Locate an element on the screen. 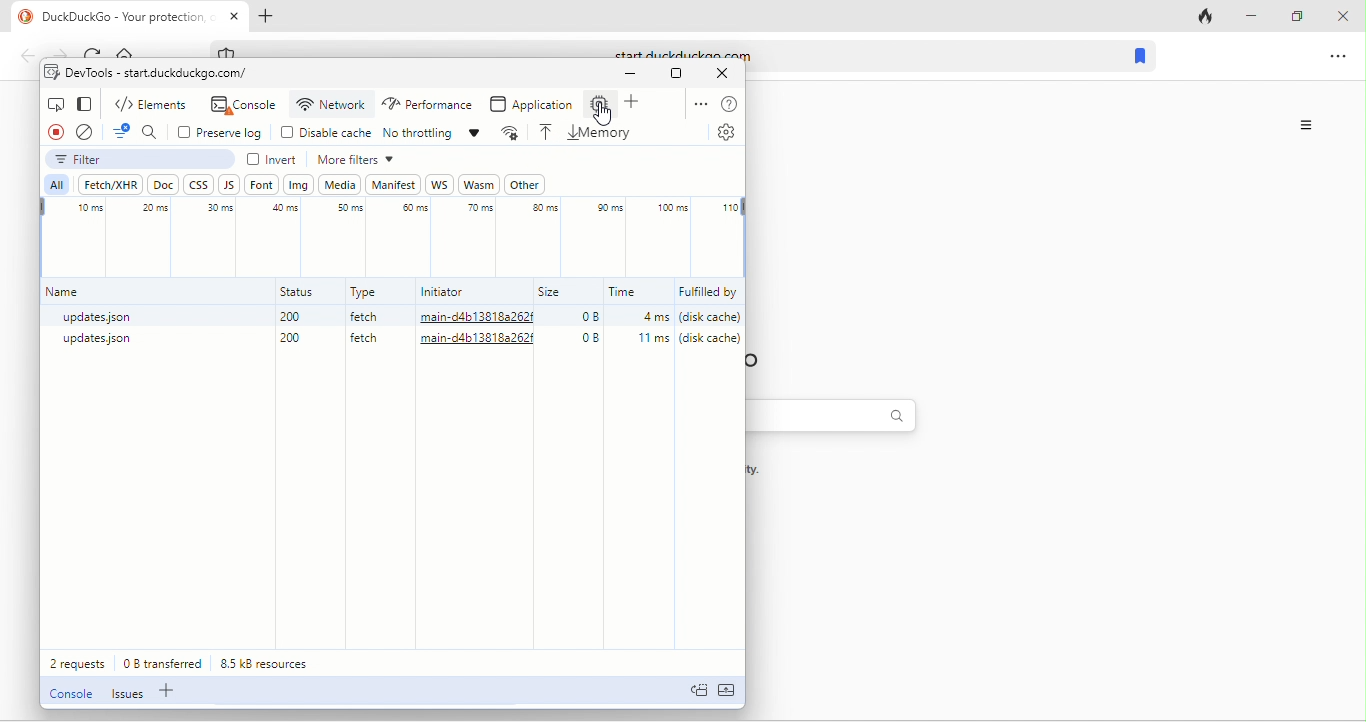 The image size is (1366, 722). (disk cache) is located at coordinates (707, 318).